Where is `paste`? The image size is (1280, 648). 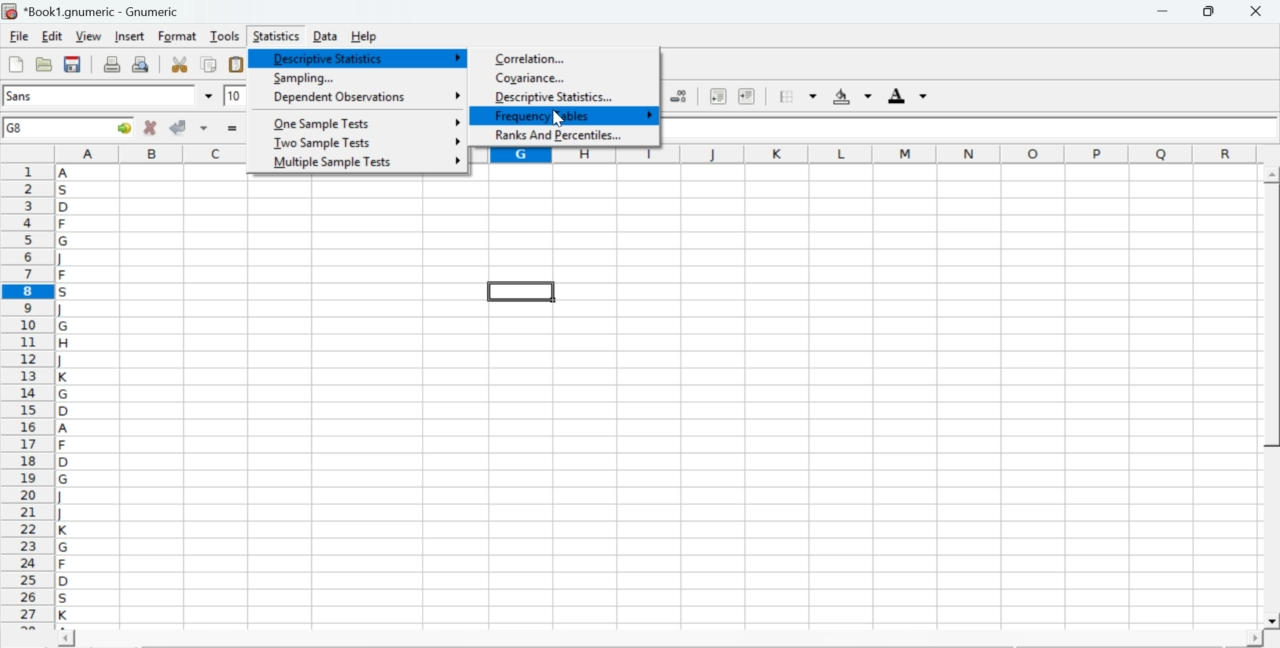
paste is located at coordinates (238, 65).